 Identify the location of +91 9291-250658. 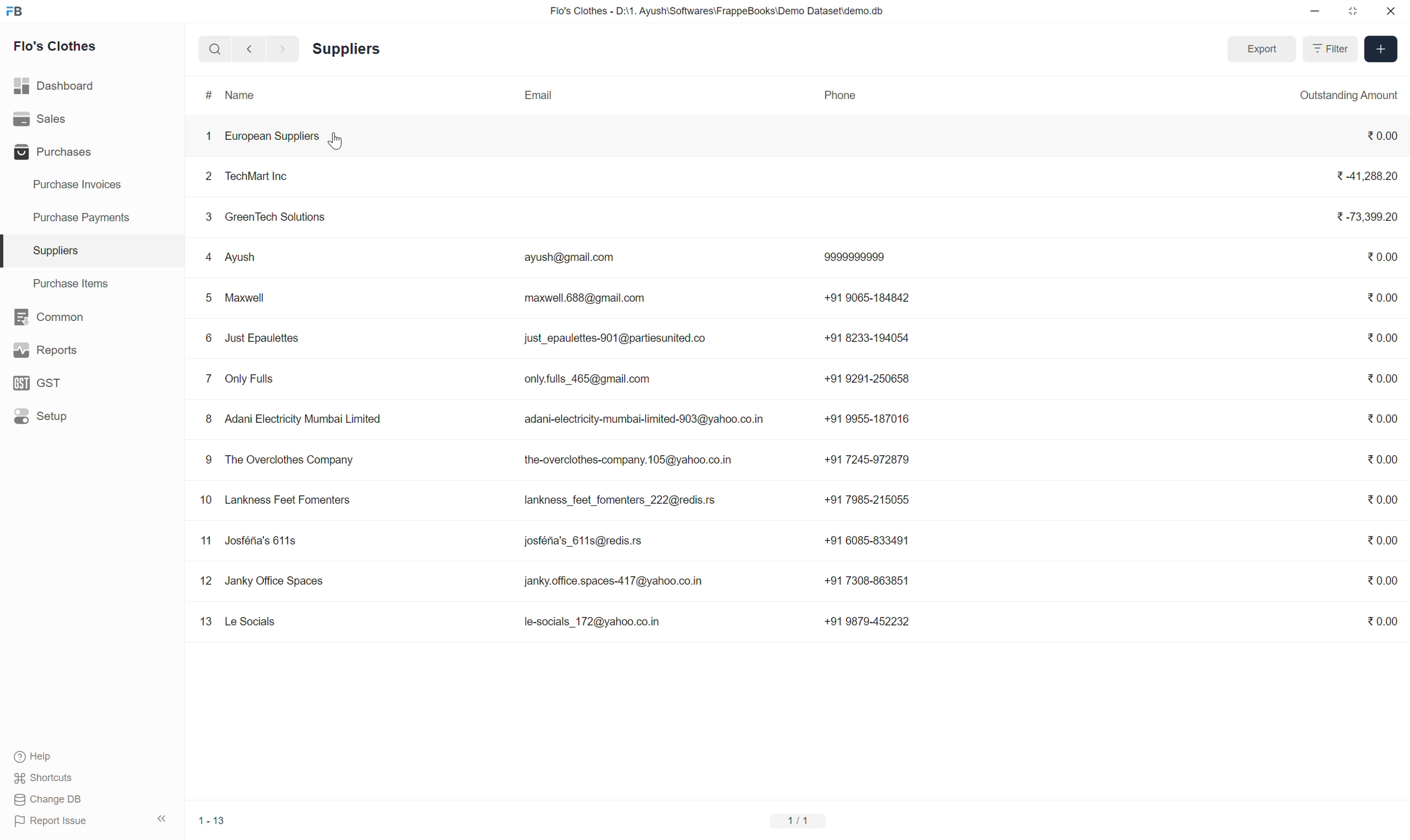
(864, 380).